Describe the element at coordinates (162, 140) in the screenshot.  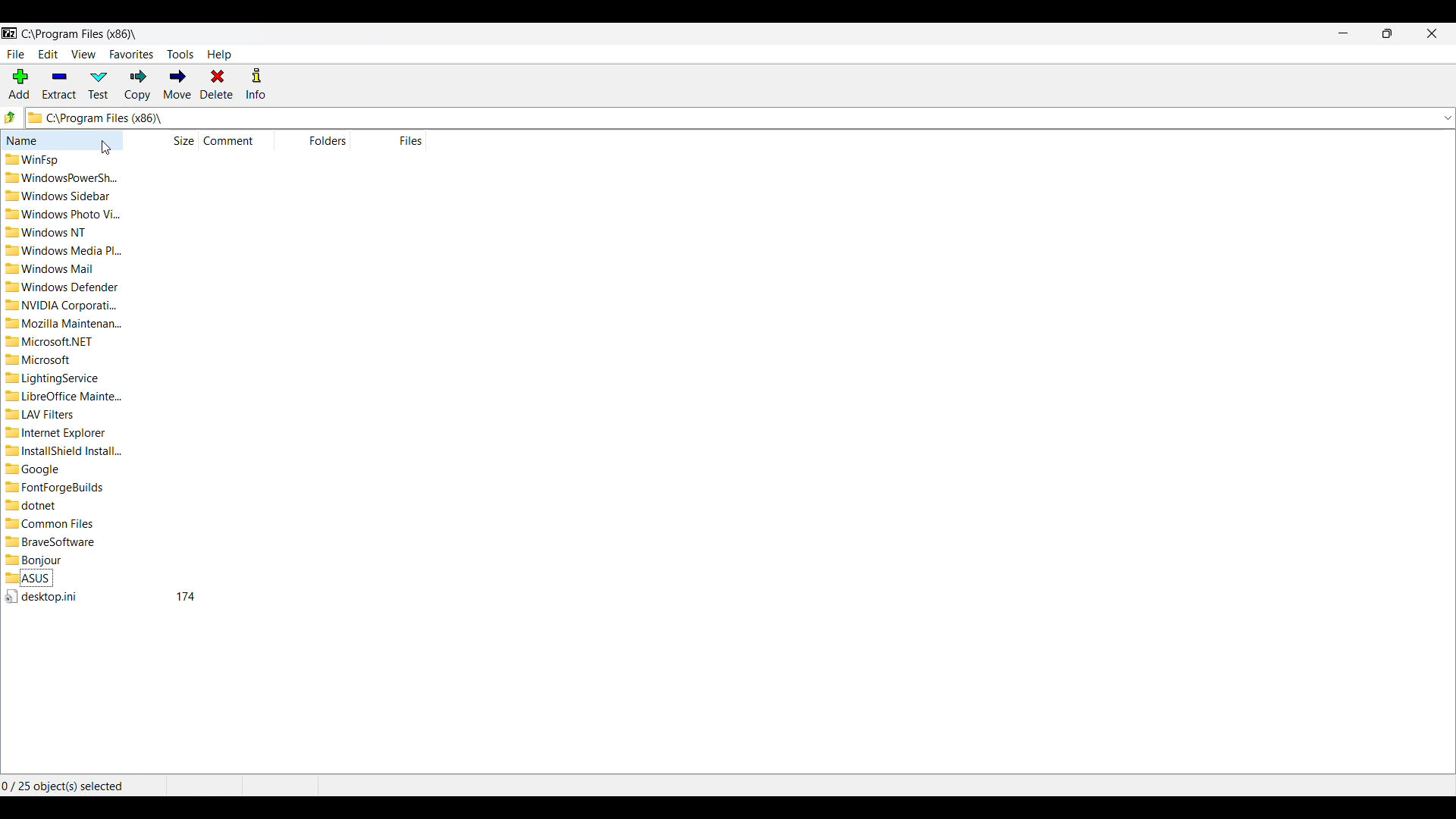
I see `Size column` at that location.